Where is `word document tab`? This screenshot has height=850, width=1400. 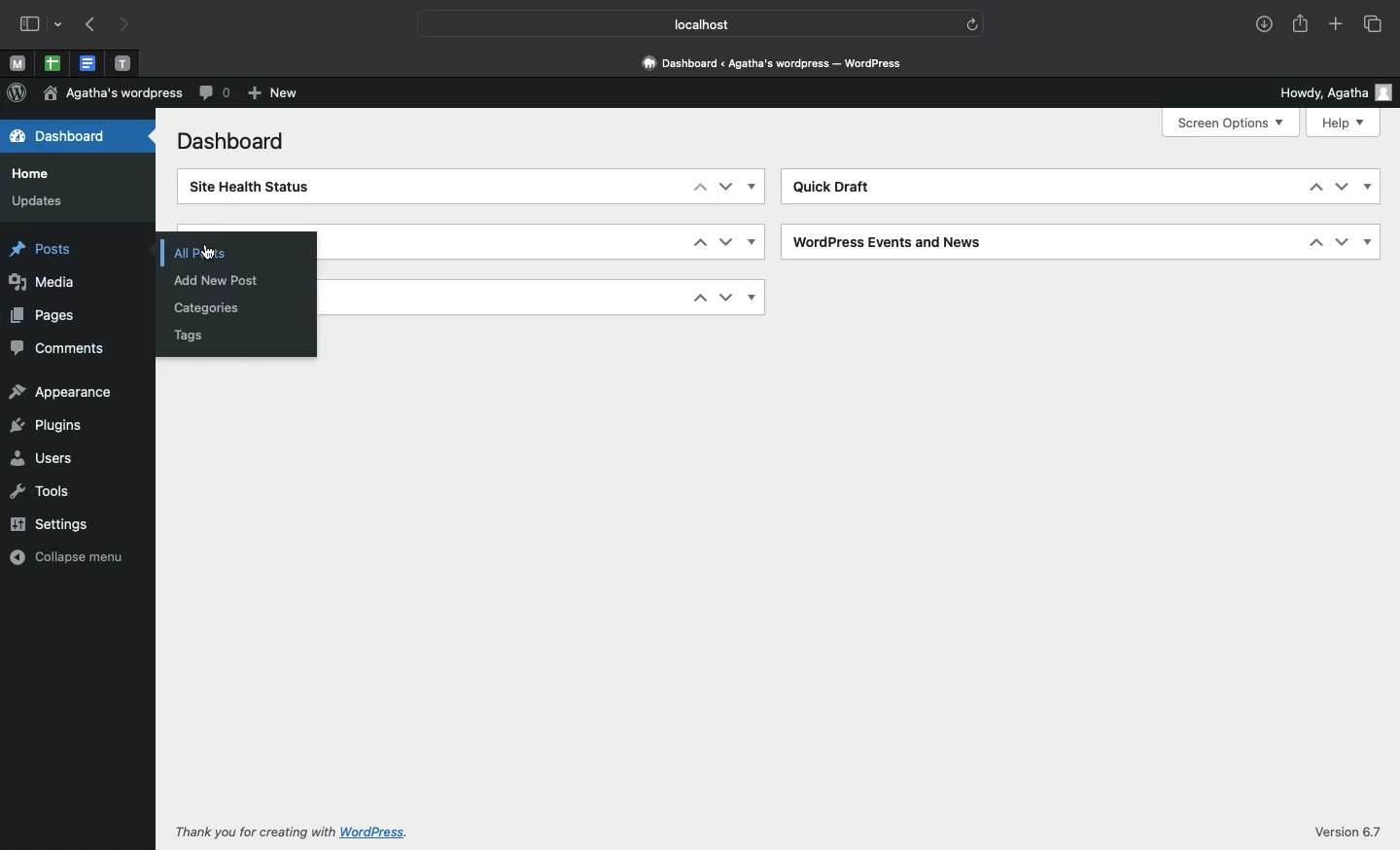 word document tab is located at coordinates (85, 62).